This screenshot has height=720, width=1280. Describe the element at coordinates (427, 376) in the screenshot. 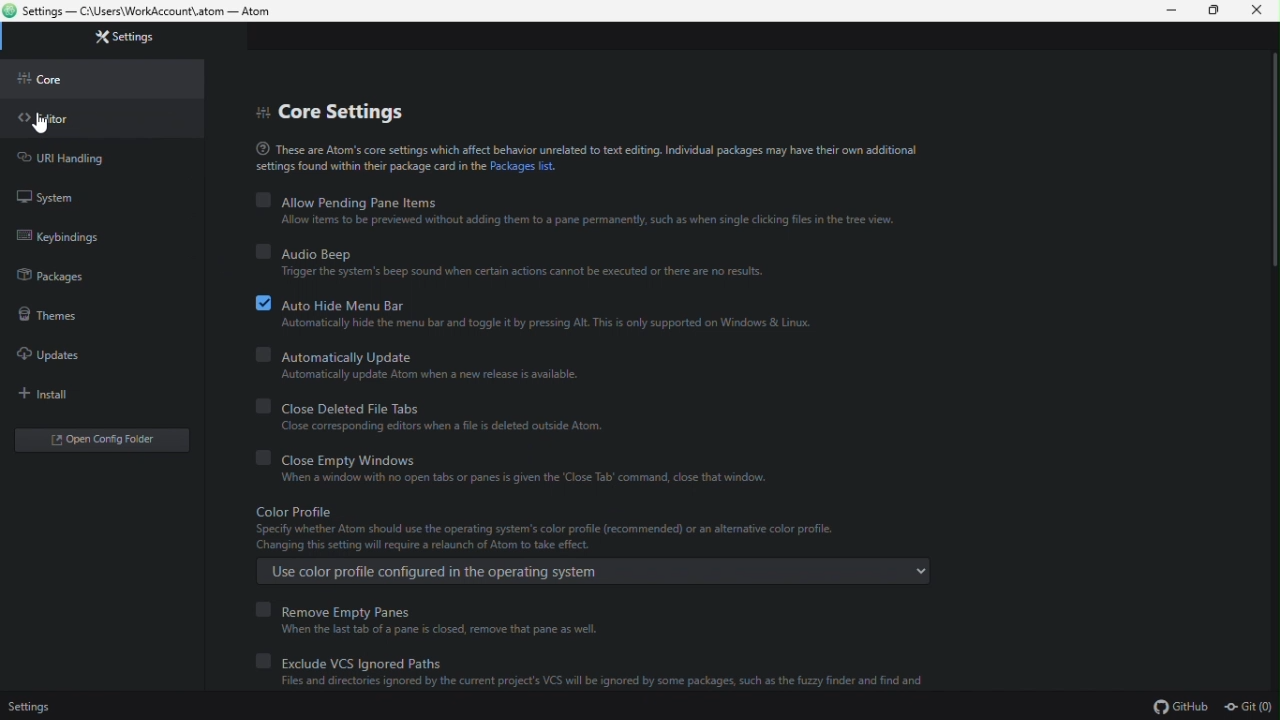

I see `‘Automatically update Atom when a new release is available.` at that location.